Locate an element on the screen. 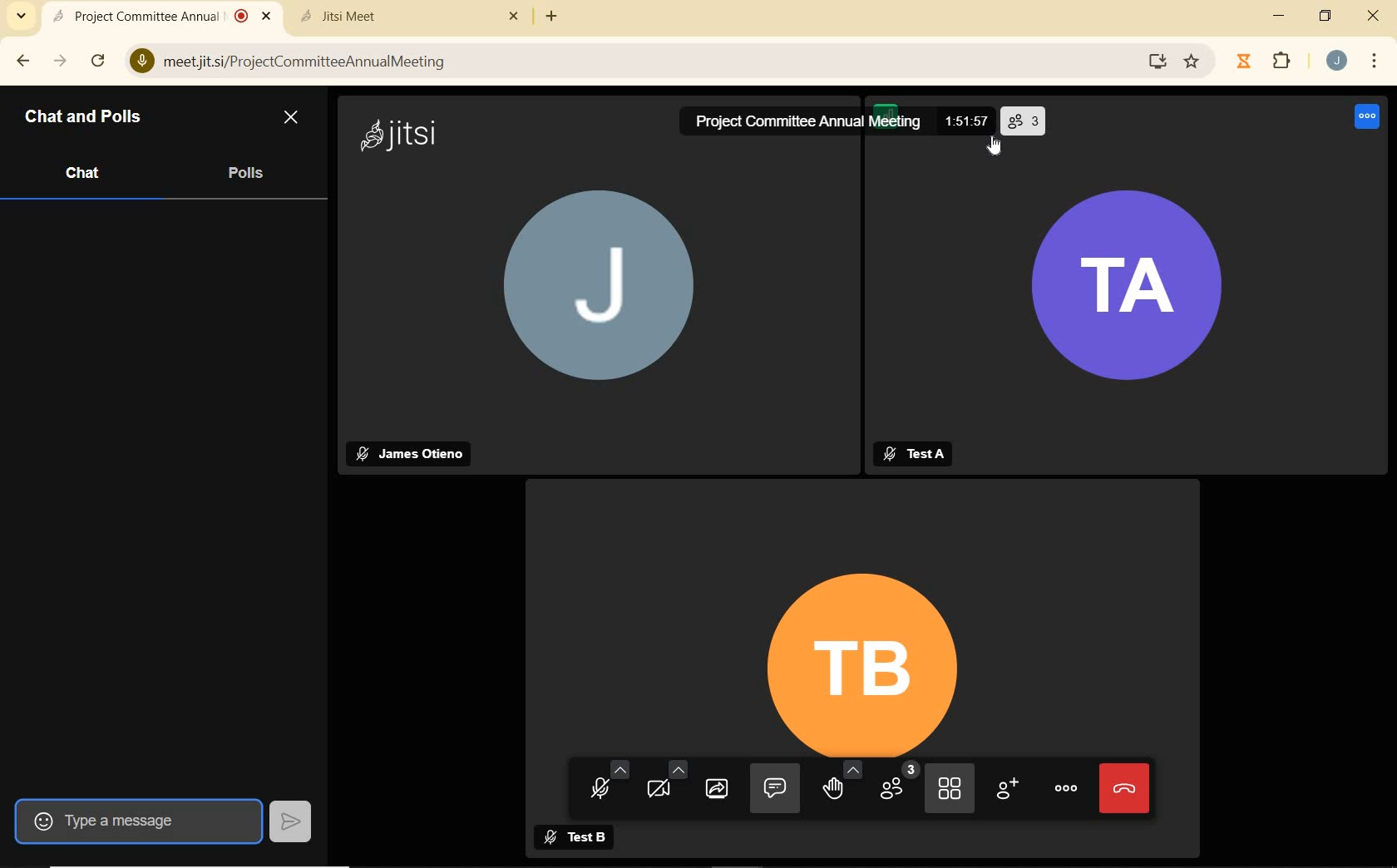  close is located at coordinates (1370, 17).